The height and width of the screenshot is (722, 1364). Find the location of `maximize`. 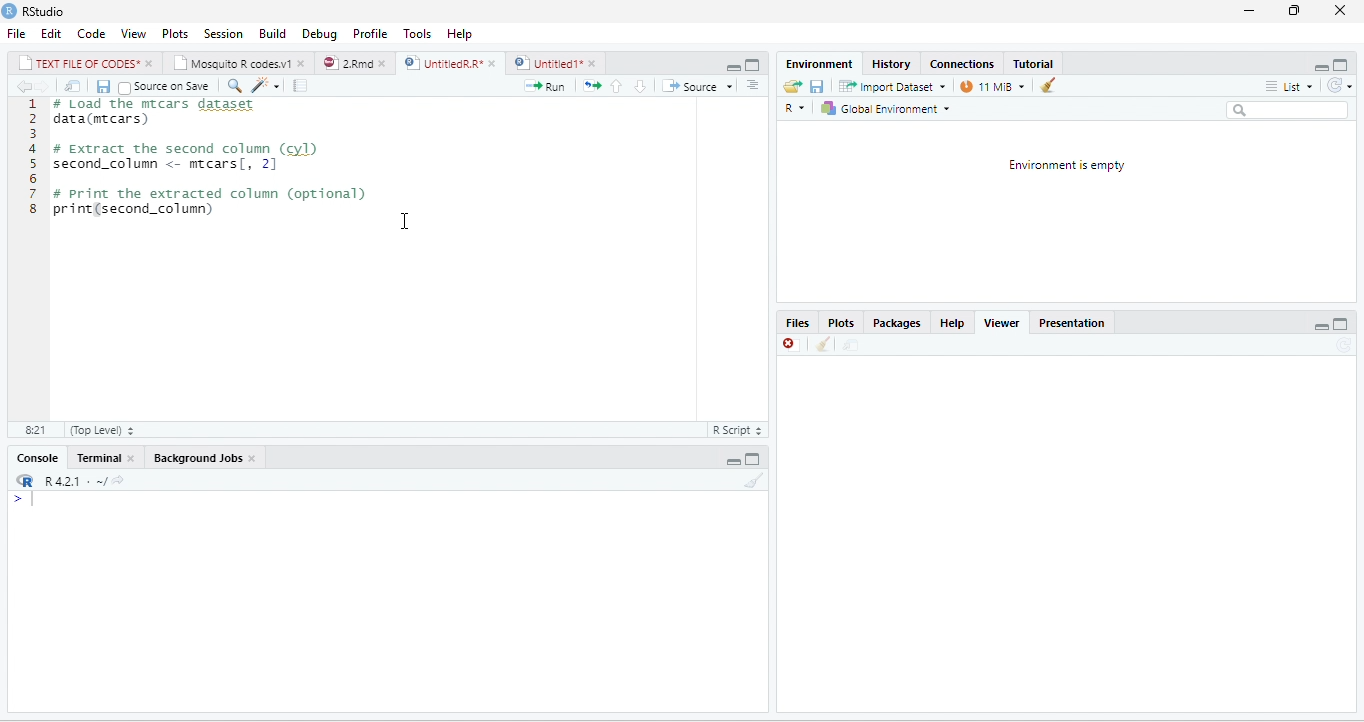

maximize is located at coordinates (754, 457).